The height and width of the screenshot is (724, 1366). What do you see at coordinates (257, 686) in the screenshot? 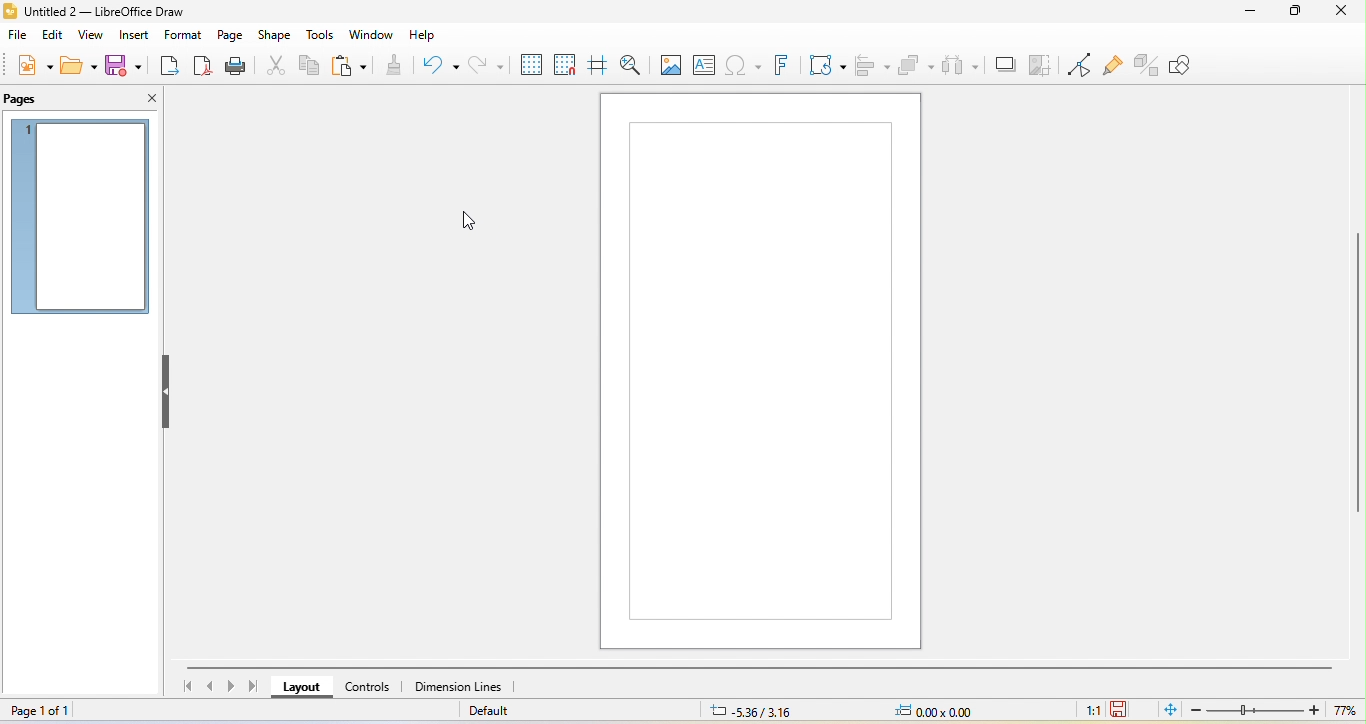
I see `last page` at bounding box center [257, 686].